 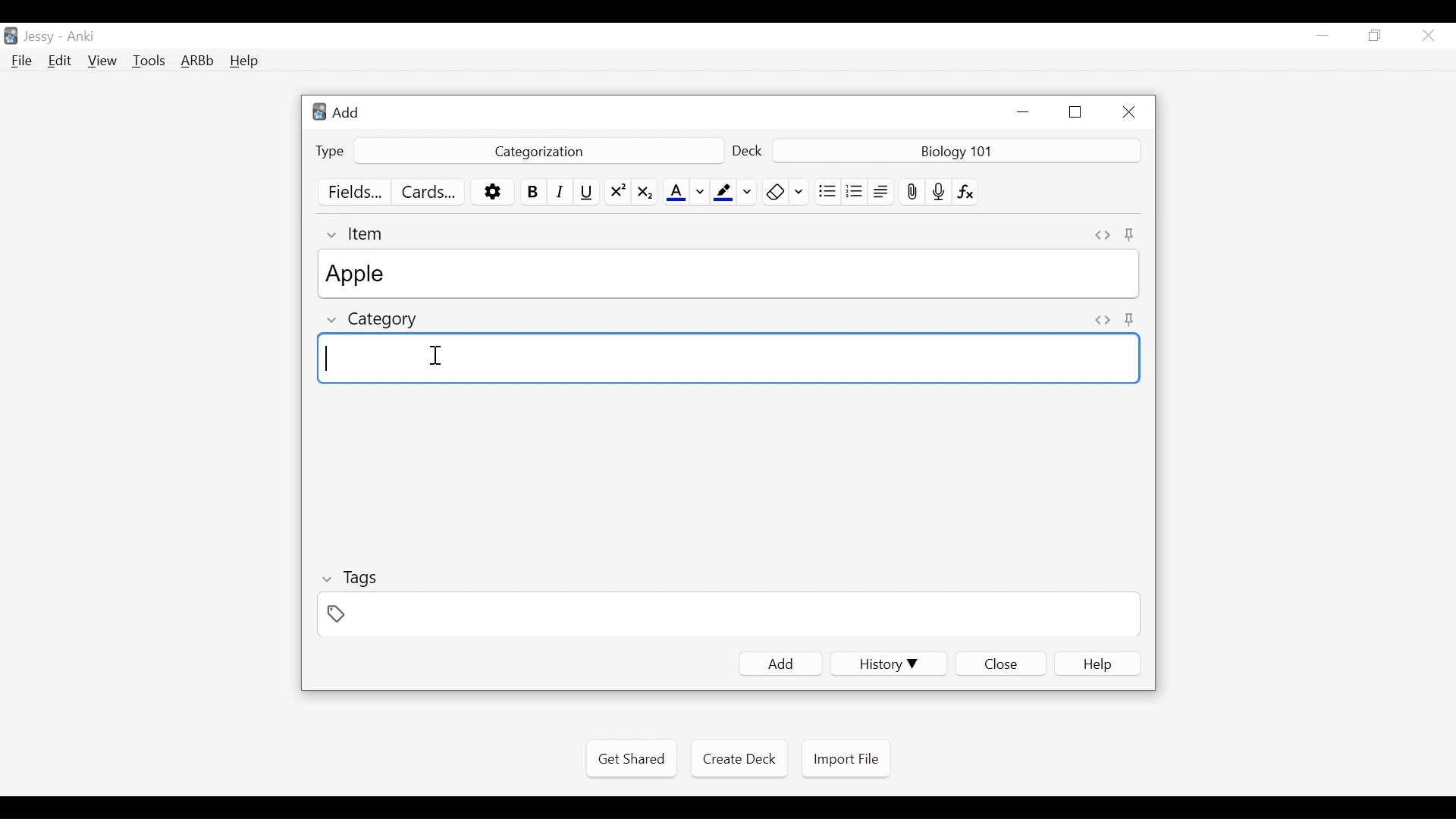 I want to click on Equation, so click(x=967, y=191).